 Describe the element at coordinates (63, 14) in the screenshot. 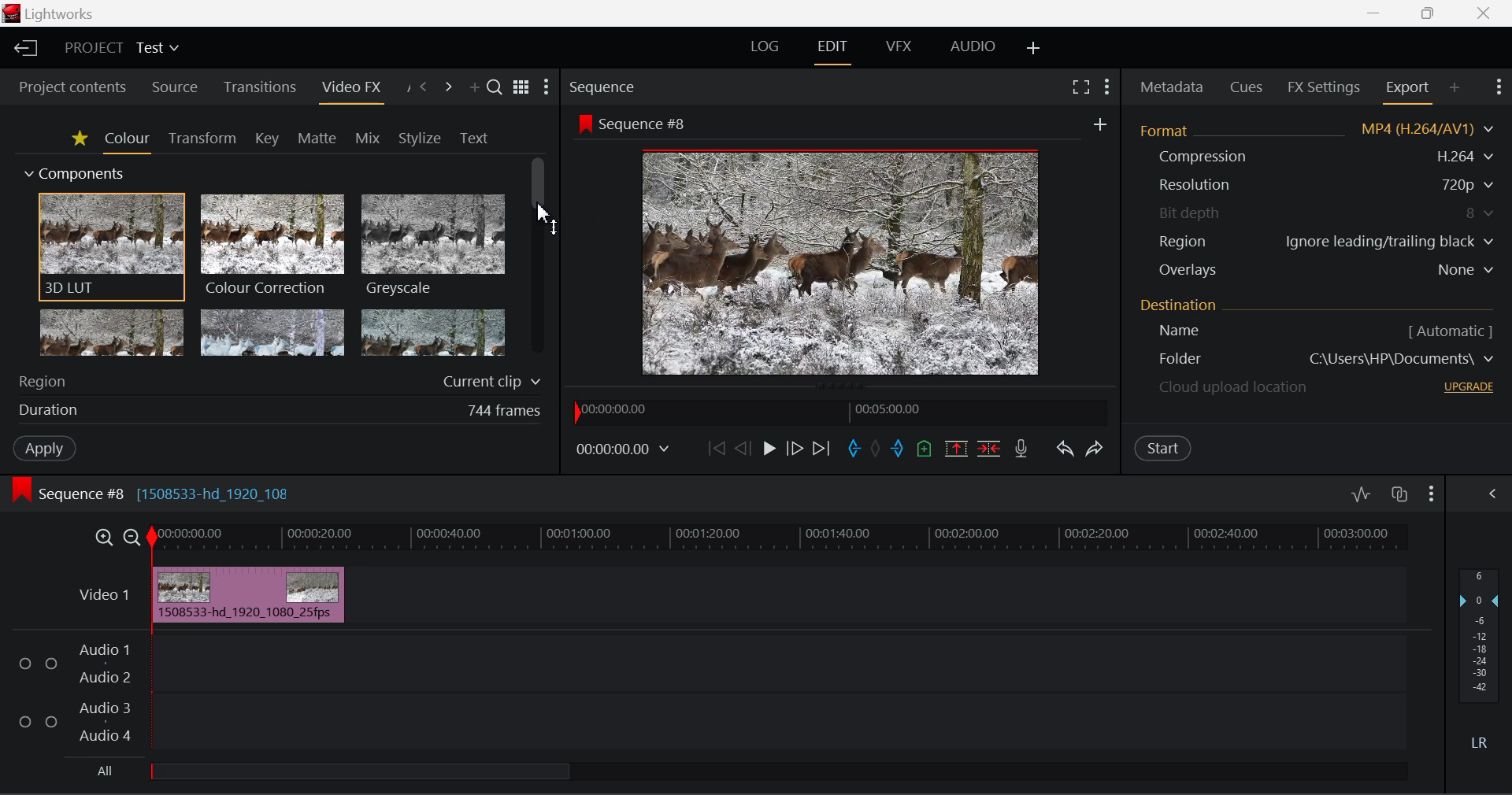

I see `Lightworks` at that location.